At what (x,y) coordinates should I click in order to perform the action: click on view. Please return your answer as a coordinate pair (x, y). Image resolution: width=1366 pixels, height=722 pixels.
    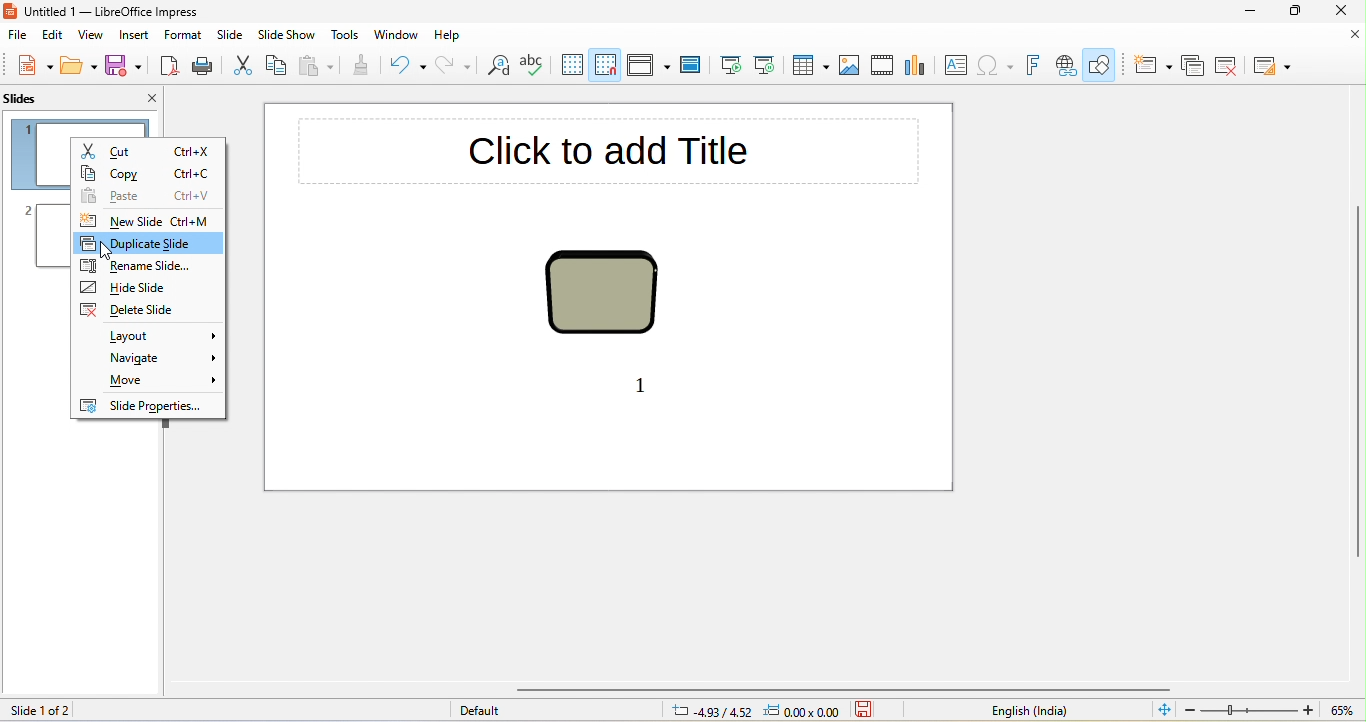
    Looking at the image, I should click on (91, 37).